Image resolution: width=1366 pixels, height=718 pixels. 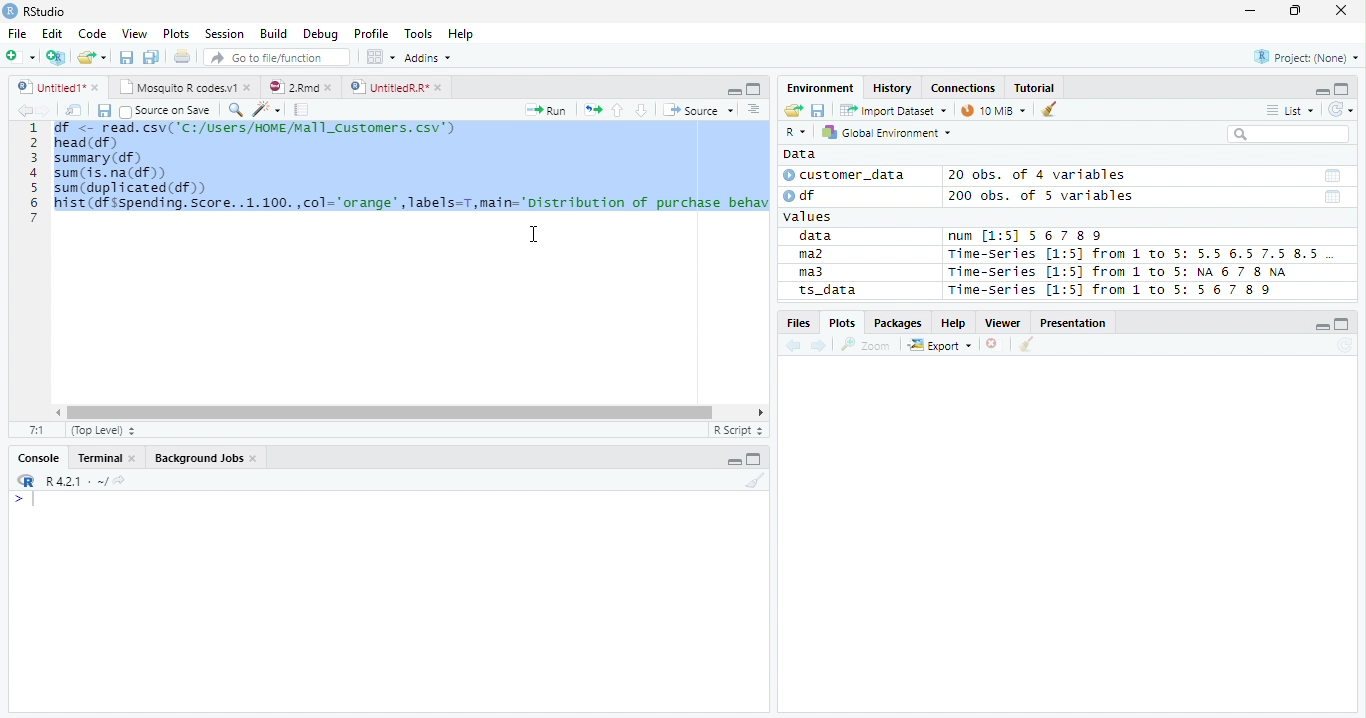 I want to click on Restore Down, so click(x=1298, y=11).